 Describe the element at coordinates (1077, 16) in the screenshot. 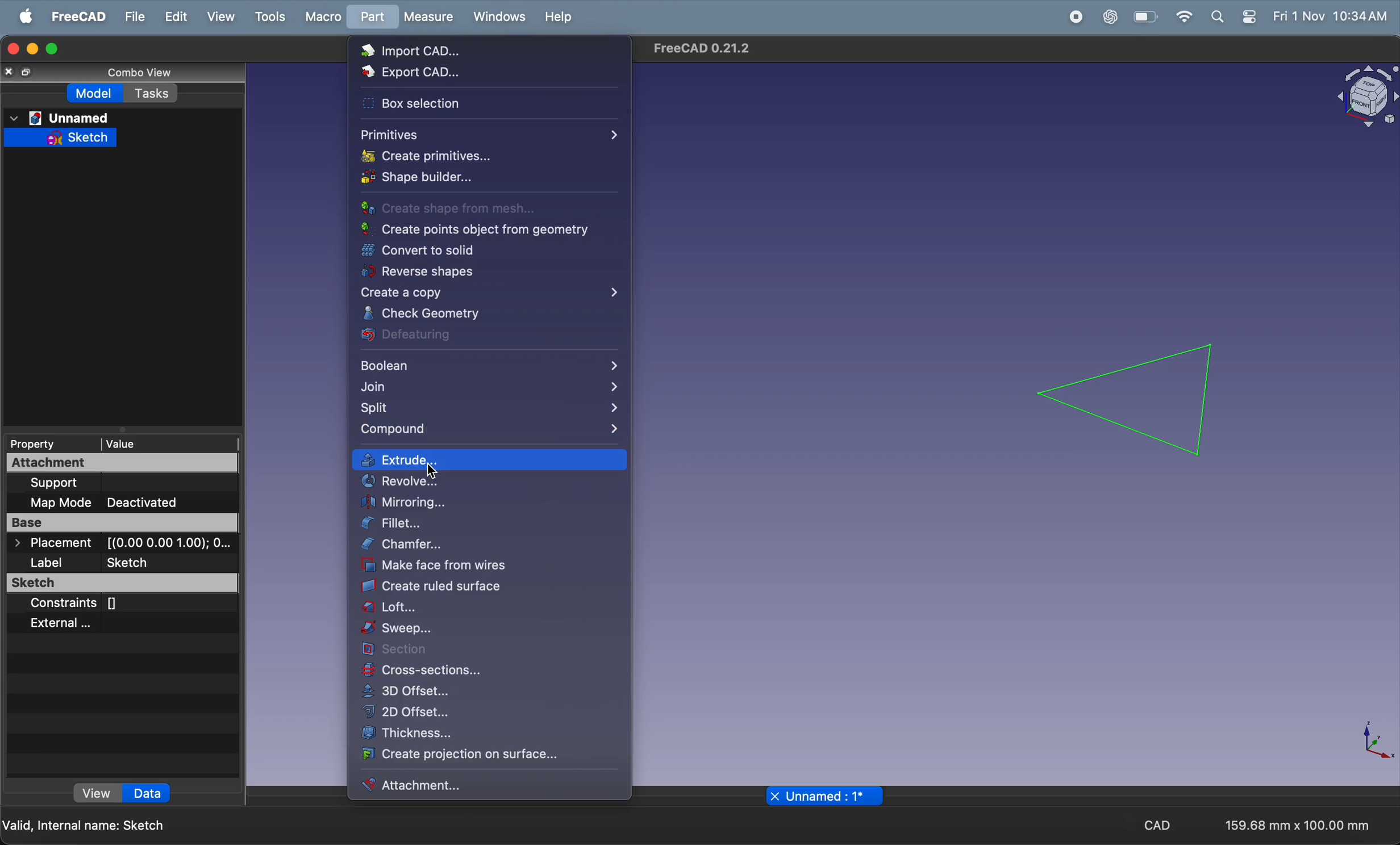

I see `record` at that location.